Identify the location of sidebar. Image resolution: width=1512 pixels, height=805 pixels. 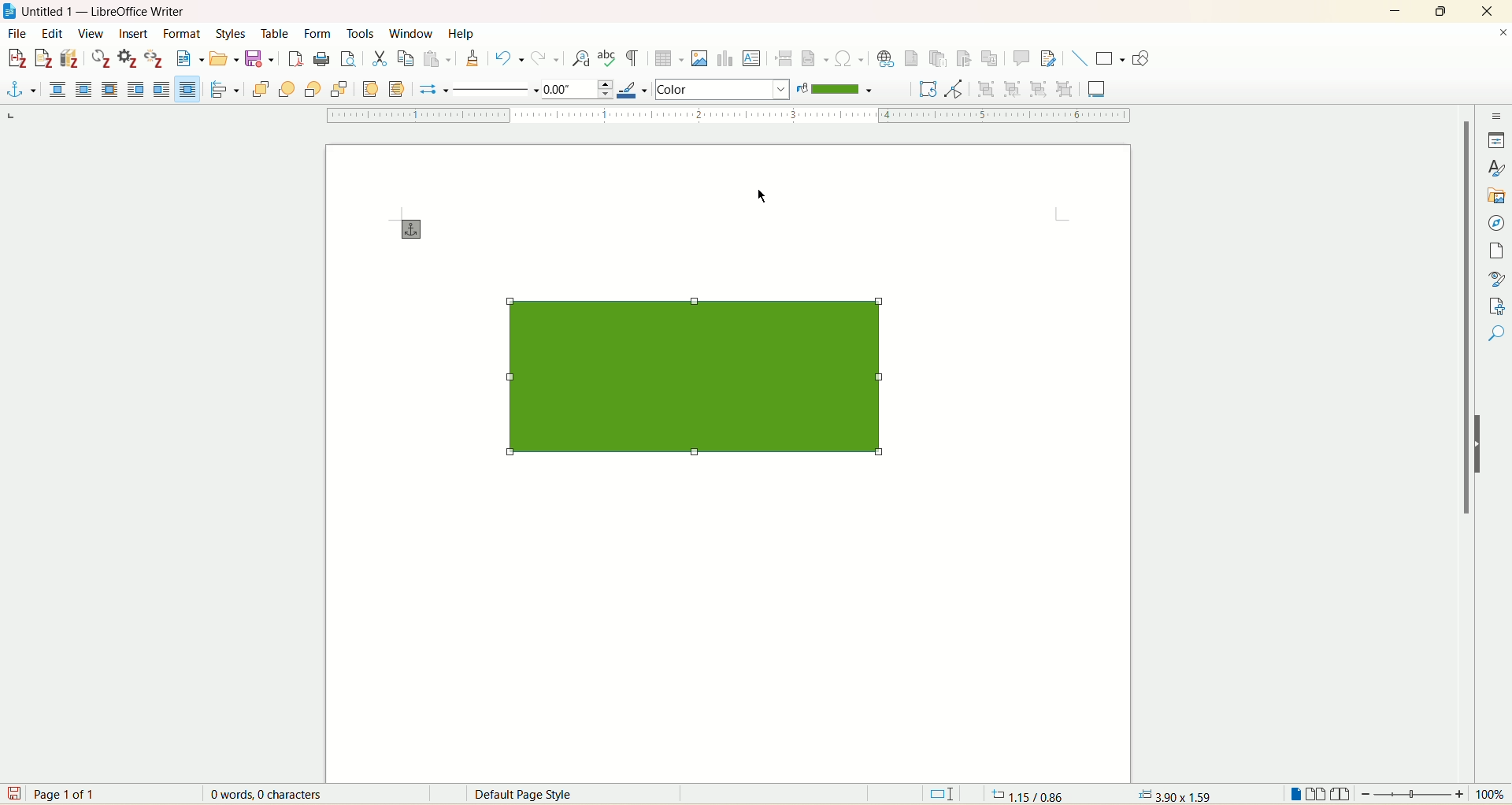
(1499, 118).